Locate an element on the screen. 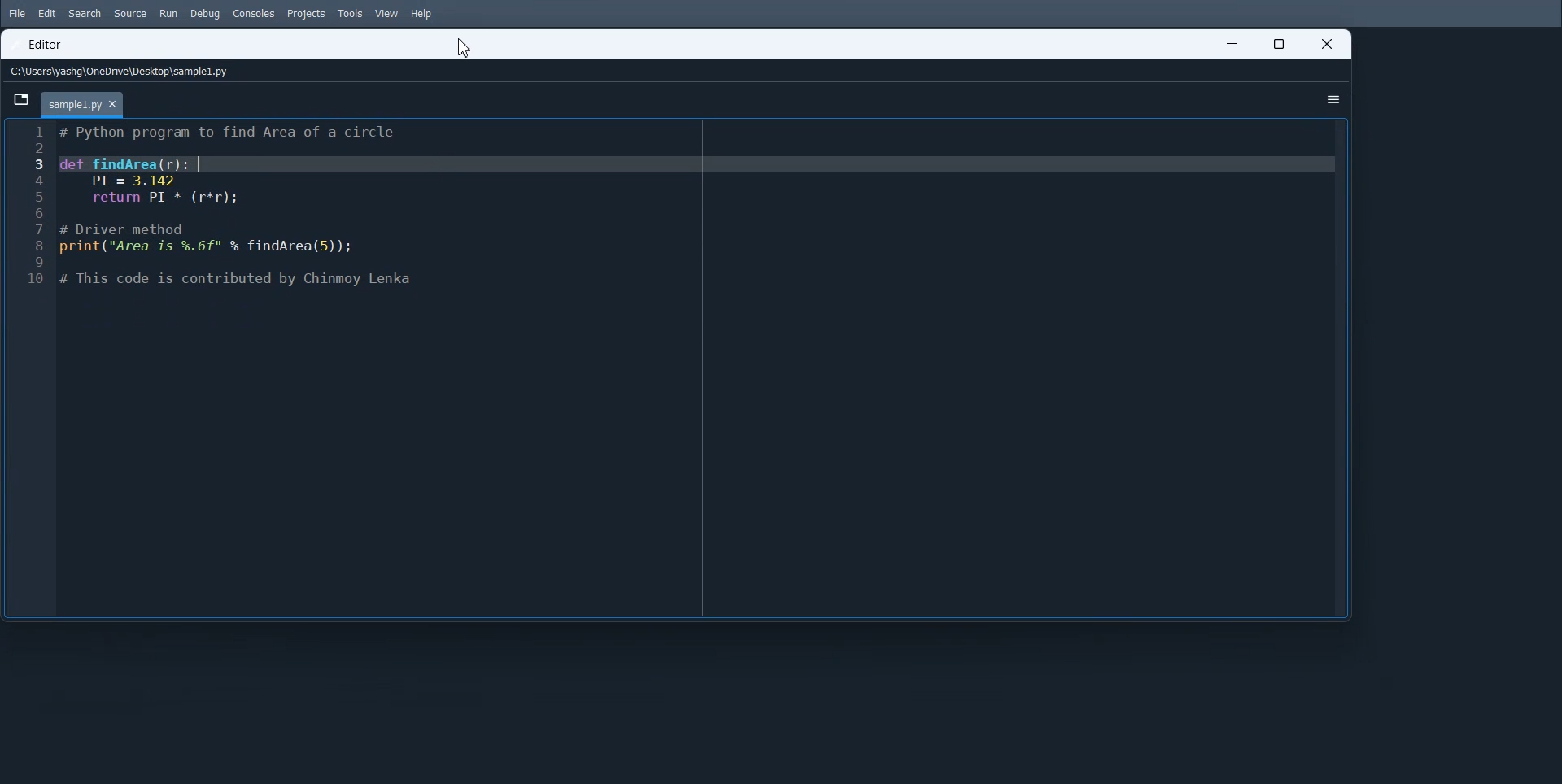 Image resolution: width=1562 pixels, height=784 pixels. Debug is located at coordinates (205, 14).